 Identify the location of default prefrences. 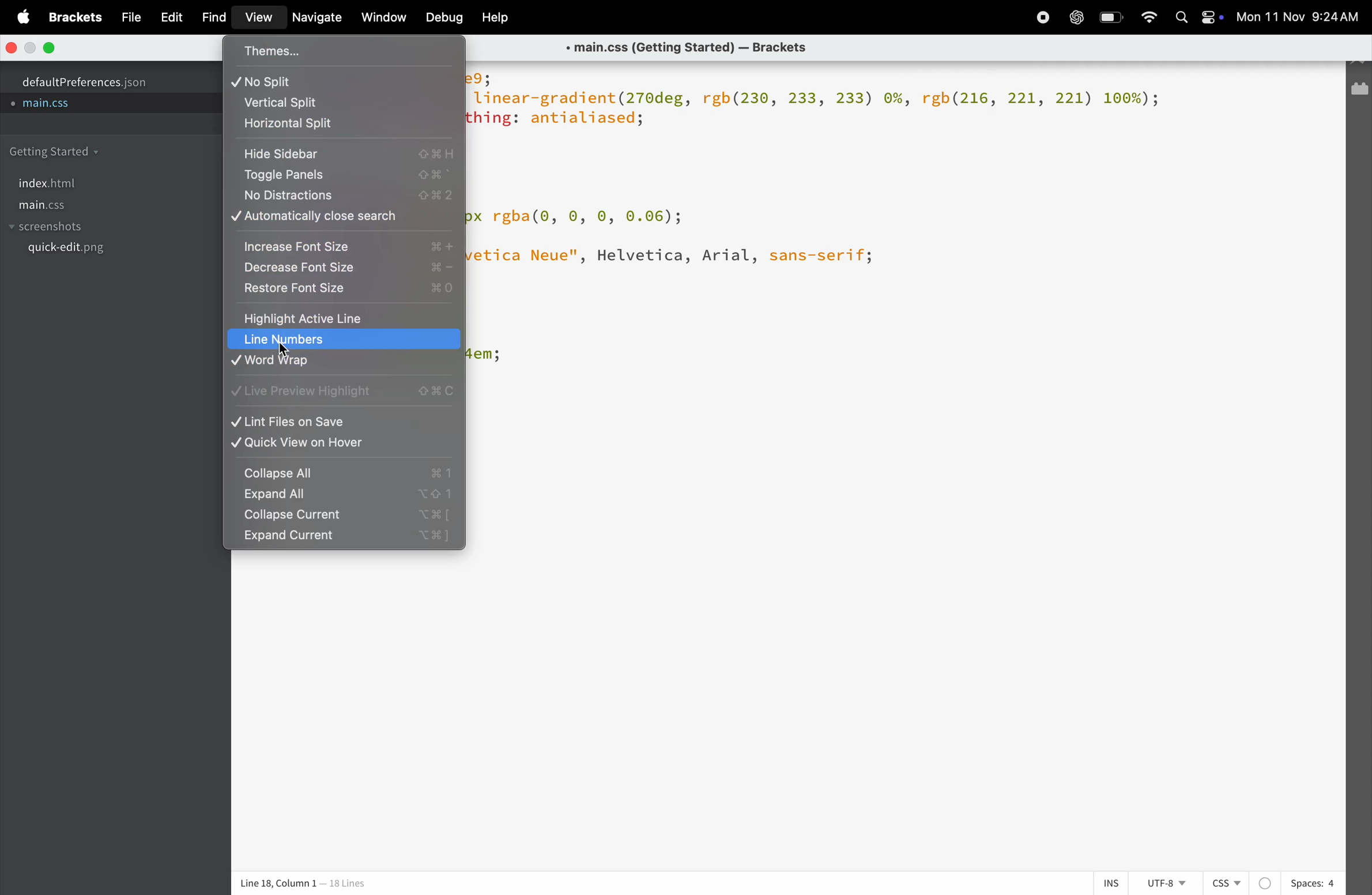
(92, 80).